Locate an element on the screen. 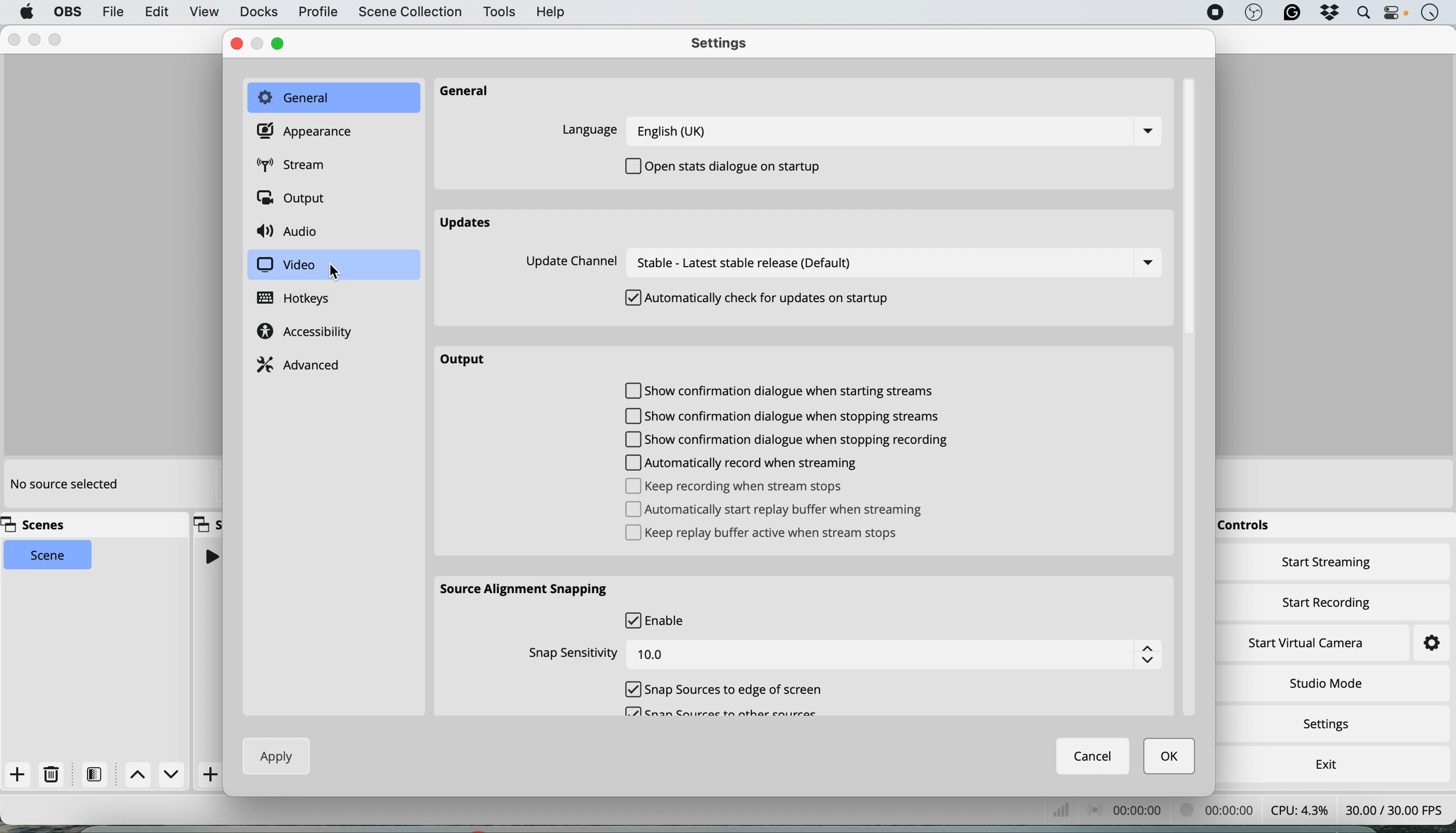  tools is located at coordinates (498, 13).